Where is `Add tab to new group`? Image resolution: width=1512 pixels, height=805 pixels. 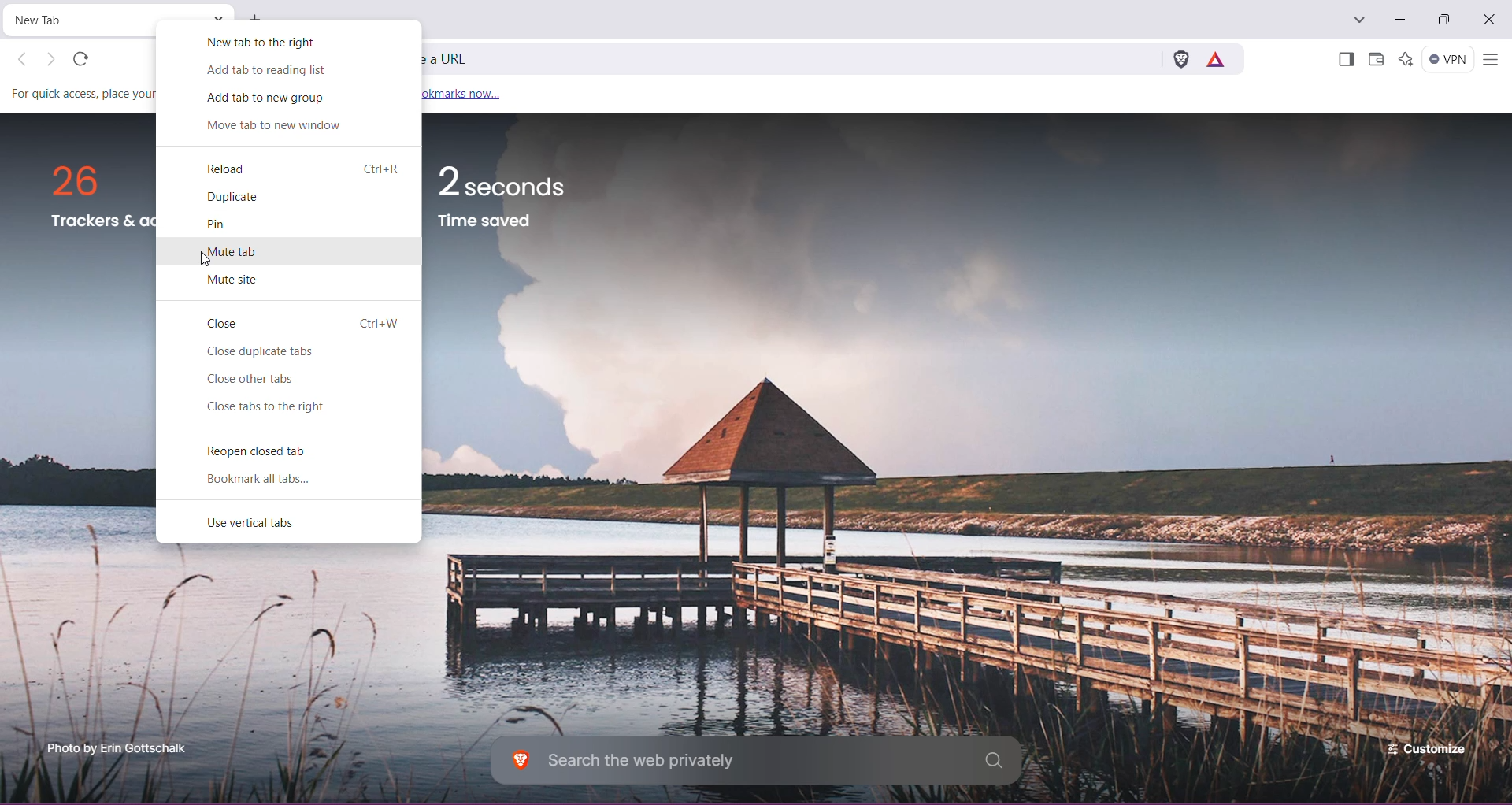 Add tab to new group is located at coordinates (265, 99).